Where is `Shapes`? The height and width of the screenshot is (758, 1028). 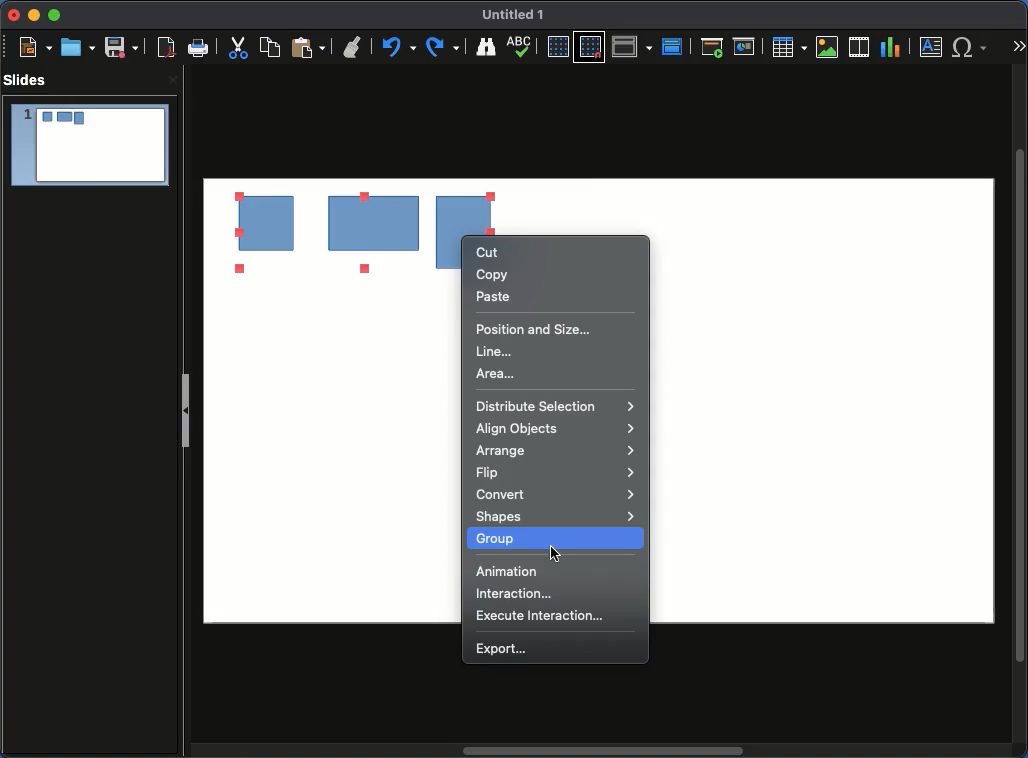
Shapes is located at coordinates (556, 517).